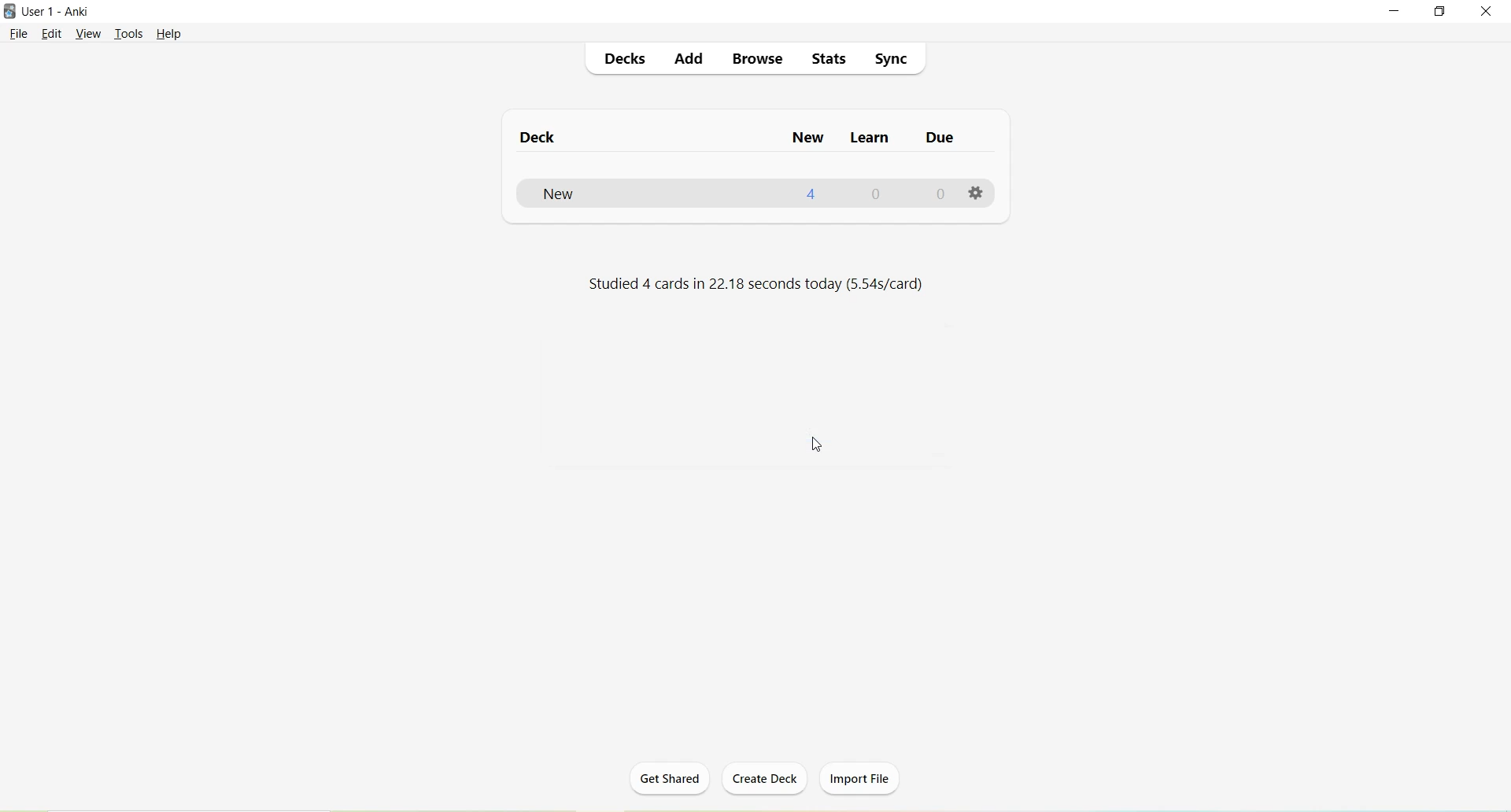  Describe the element at coordinates (667, 783) in the screenshot. I see `Get Shared` at that location.